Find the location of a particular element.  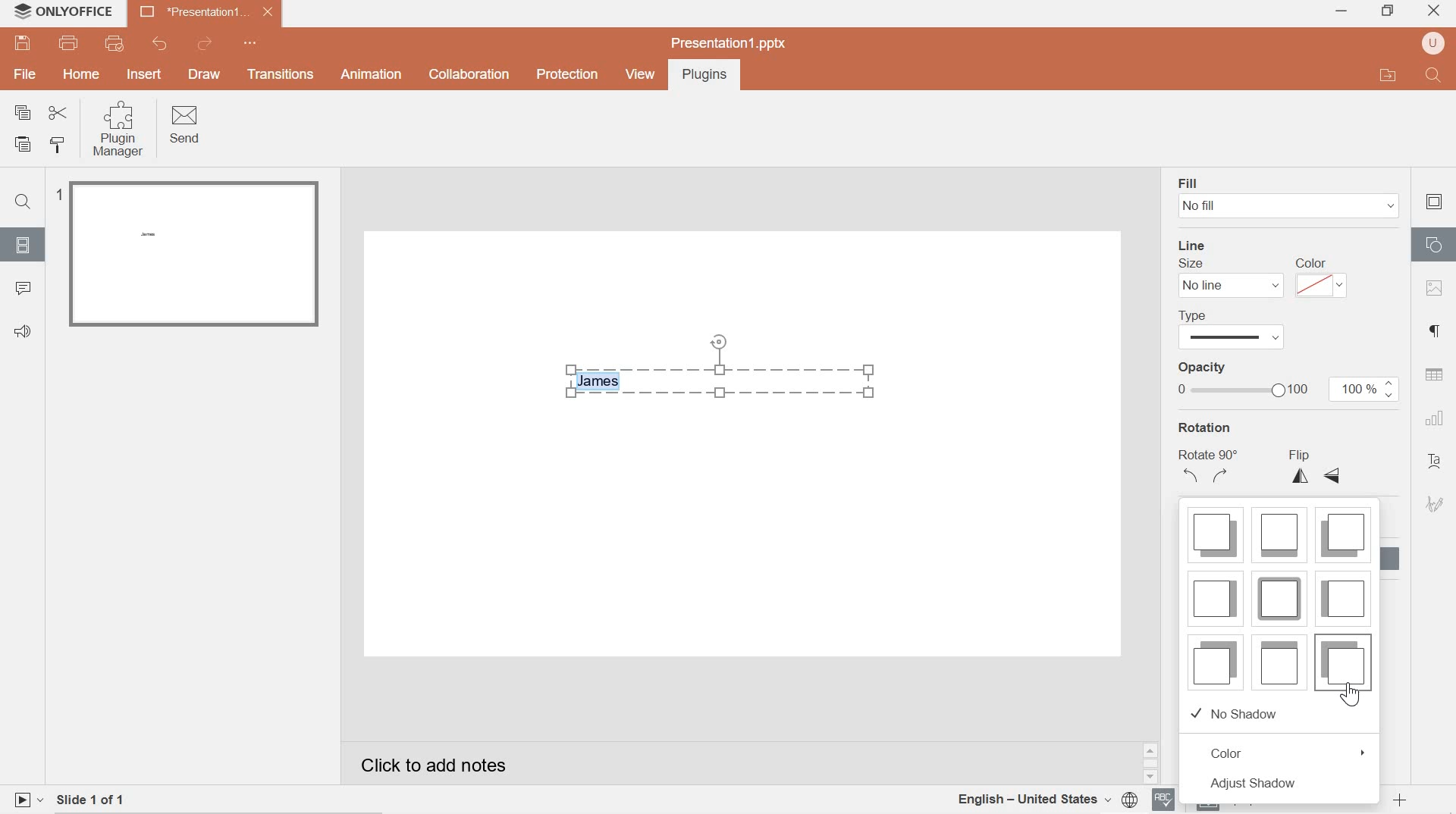

Feedback & support is located at coordinates (23, 331).